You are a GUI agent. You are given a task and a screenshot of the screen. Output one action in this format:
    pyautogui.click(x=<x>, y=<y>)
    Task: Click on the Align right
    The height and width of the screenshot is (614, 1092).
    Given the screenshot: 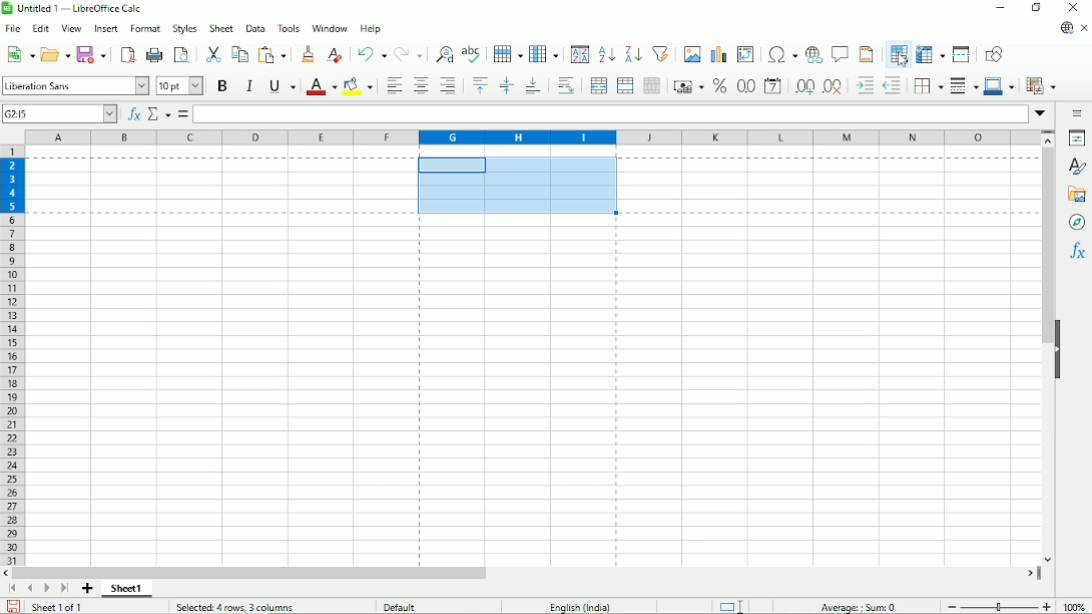 What is the action you would take?
    pyautogui.click(x=448, y=87)
    